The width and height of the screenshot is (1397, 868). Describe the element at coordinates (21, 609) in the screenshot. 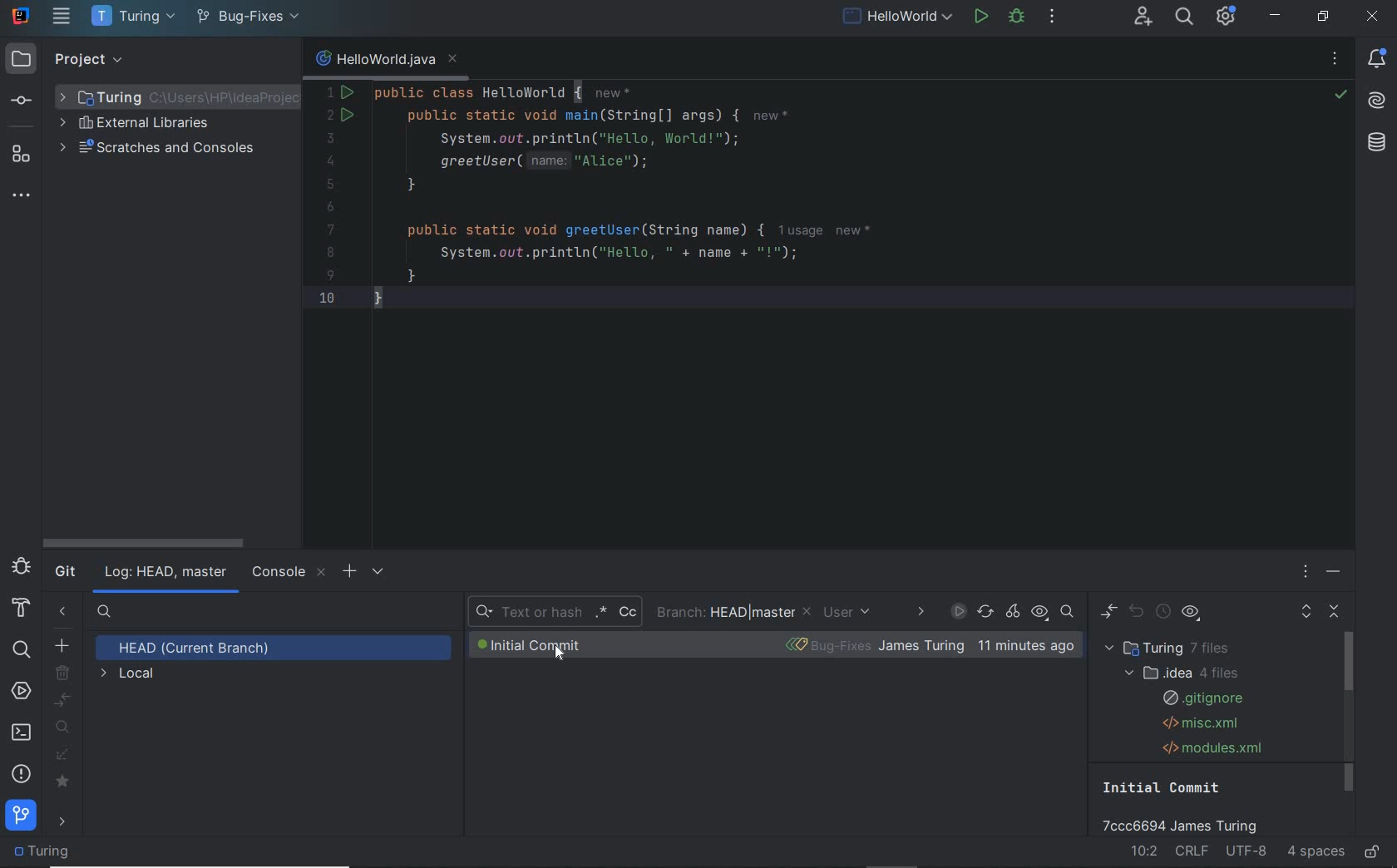

I see `build` at that location.